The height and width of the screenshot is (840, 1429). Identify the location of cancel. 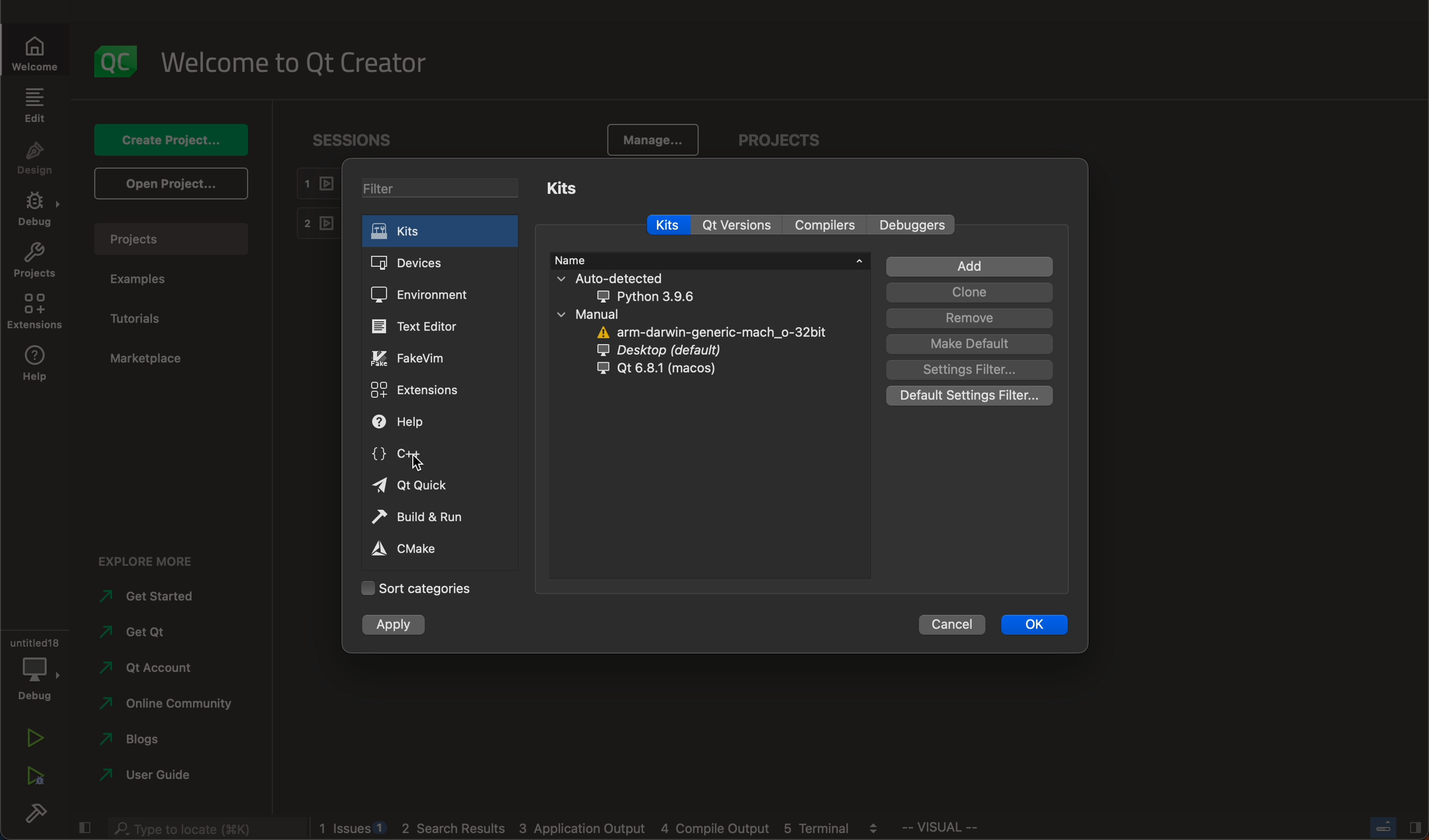
(952, 622).